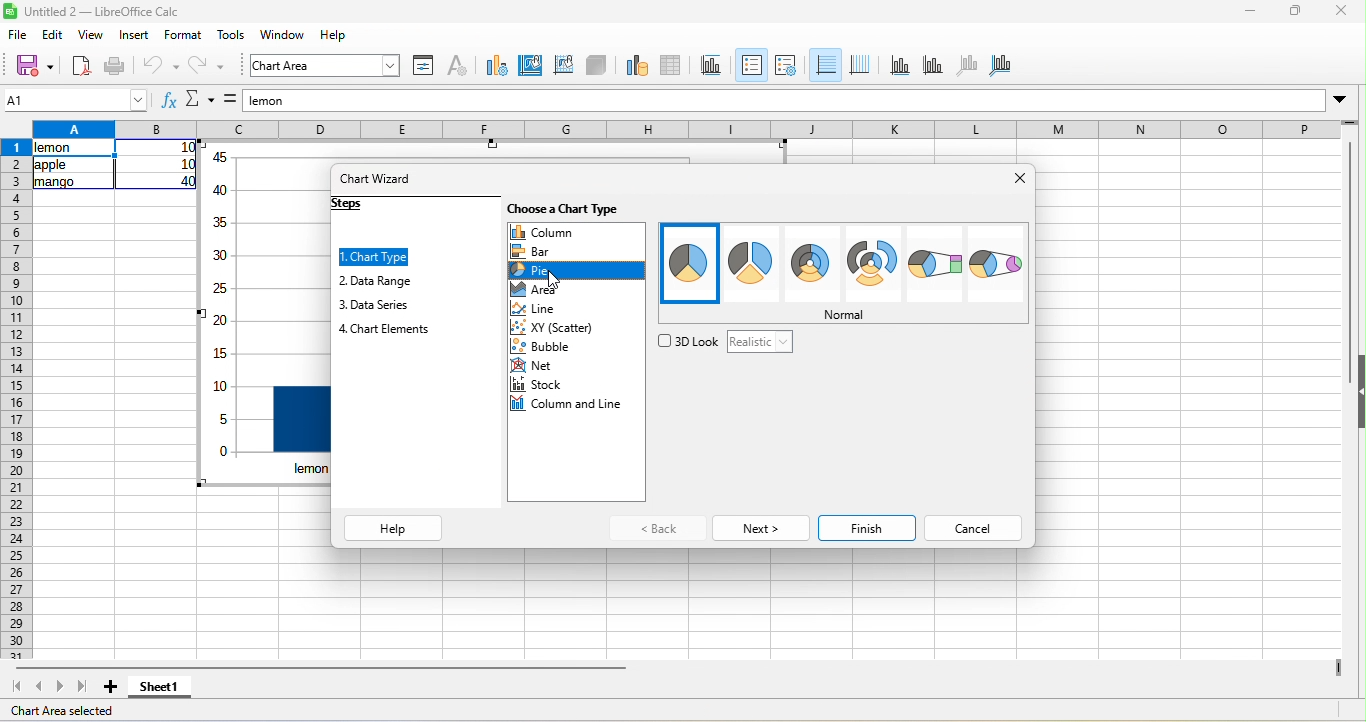  Describe the element at coordinates (333, 36) in the screenshot. I see `help` at that location.